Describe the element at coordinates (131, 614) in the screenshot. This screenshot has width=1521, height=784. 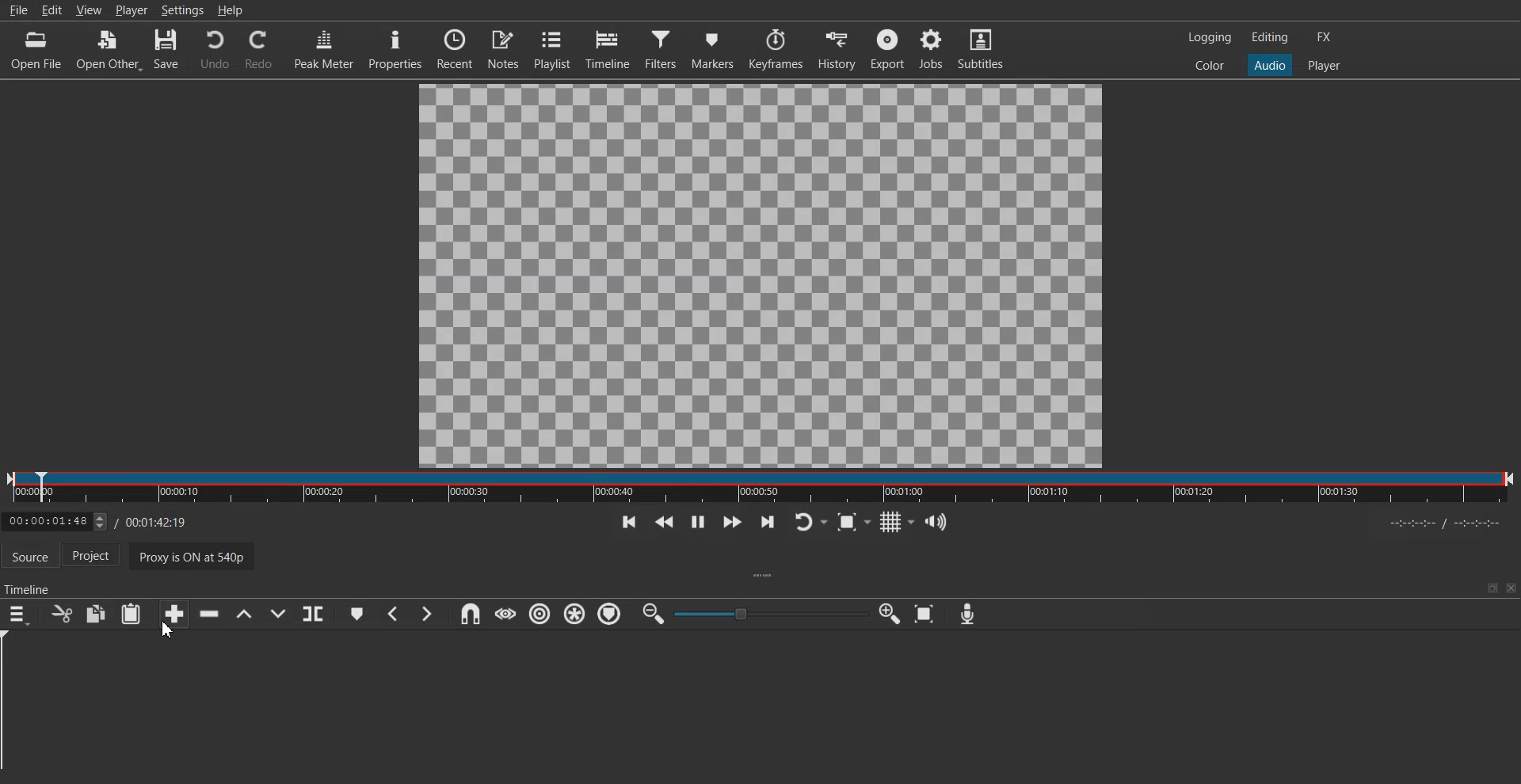
I see `Paste` at that location.